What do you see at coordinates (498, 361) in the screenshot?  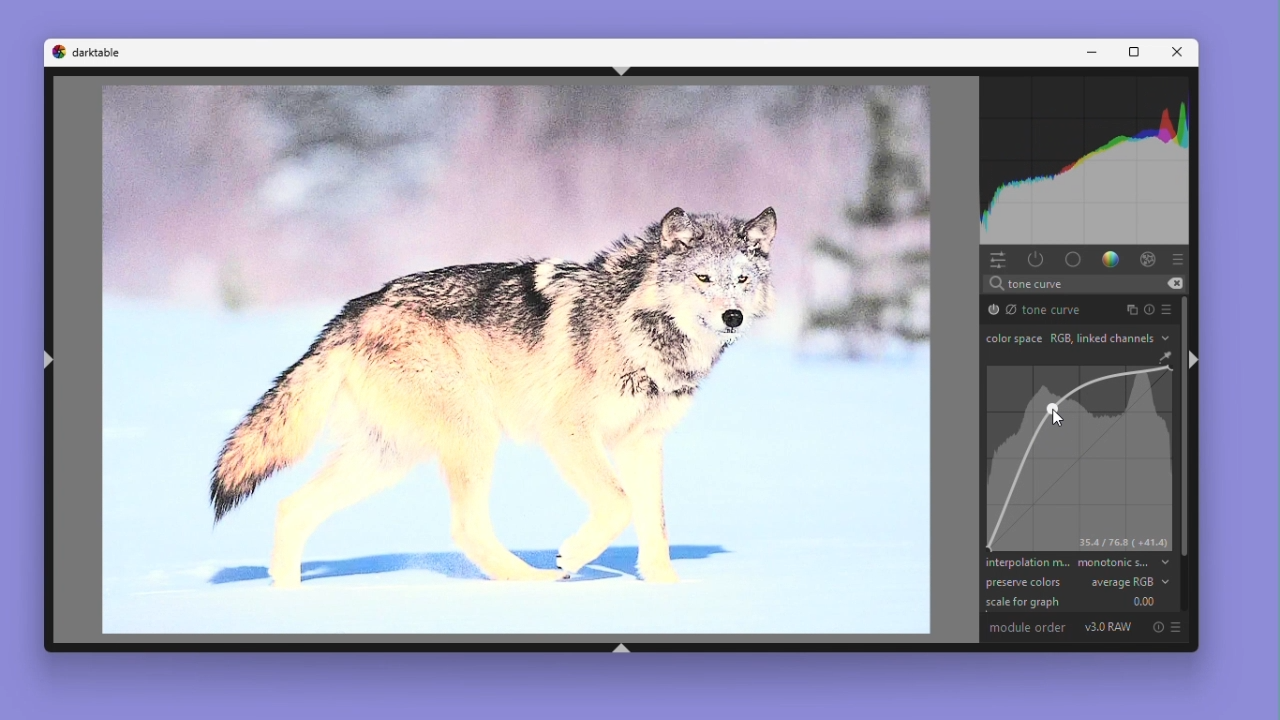 I see `Image` at bounding box center [498, 361].